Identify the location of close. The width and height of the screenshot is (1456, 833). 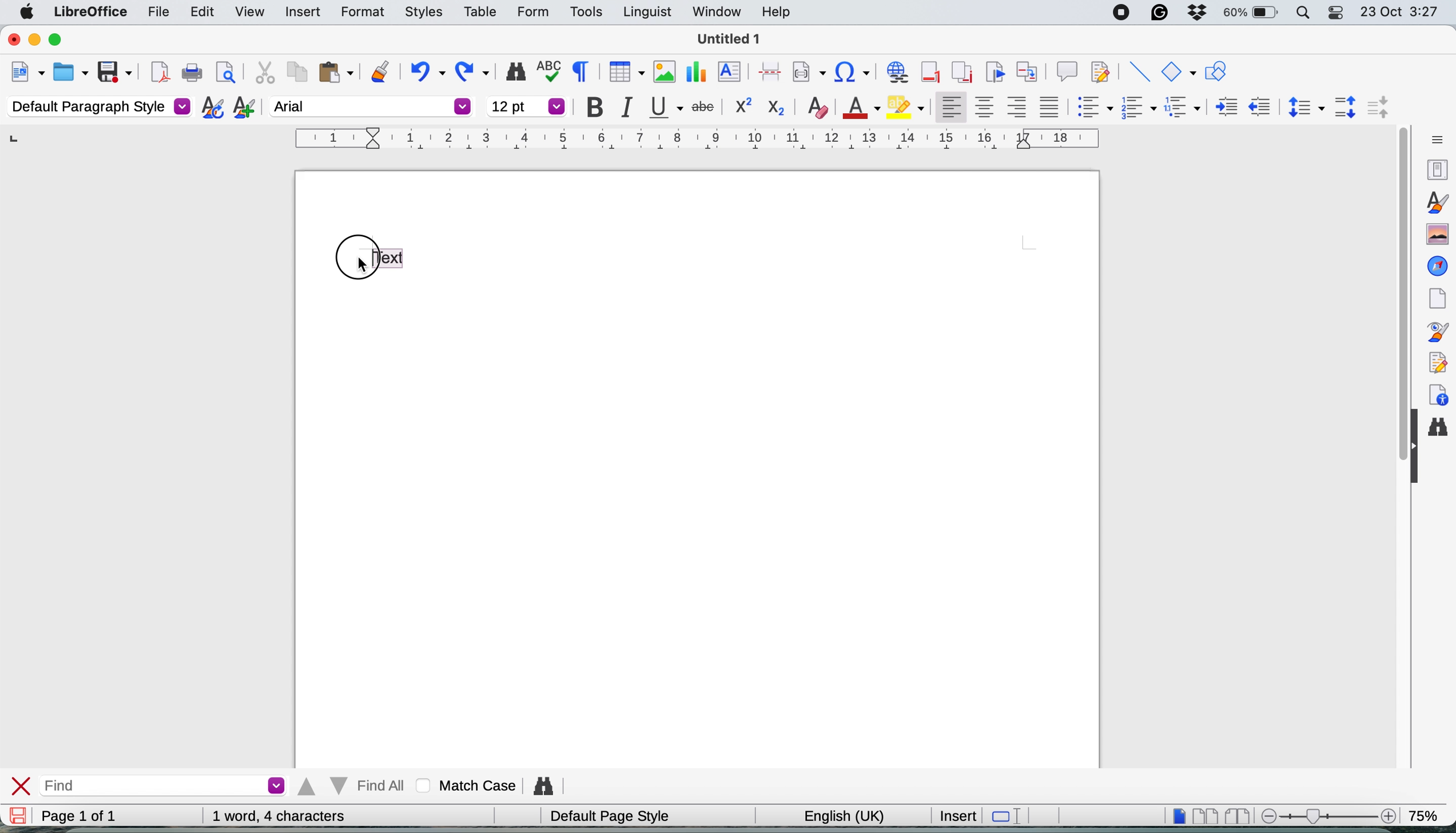
(11, 38).